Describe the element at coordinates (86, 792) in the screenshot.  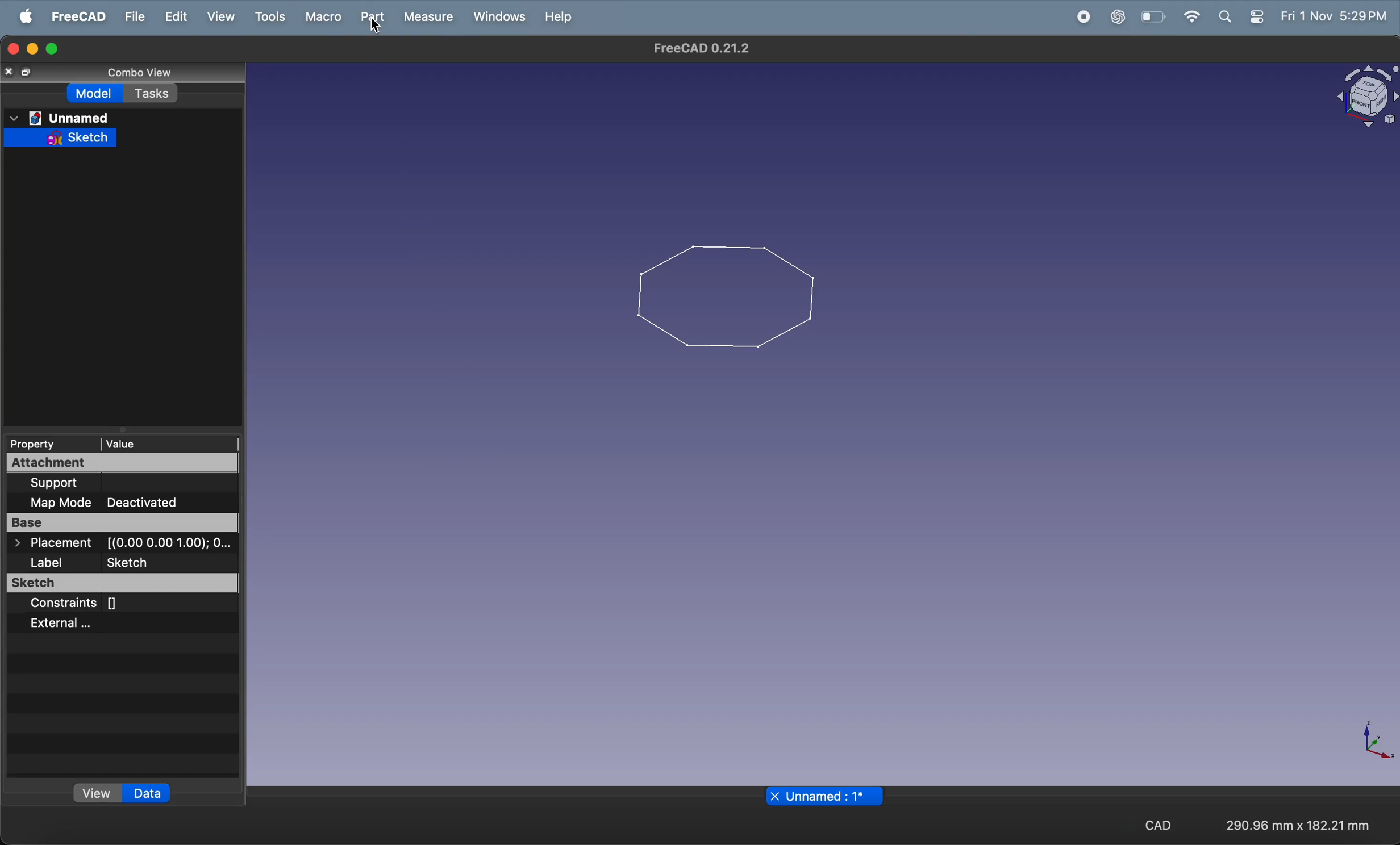
I see `view` at that location.